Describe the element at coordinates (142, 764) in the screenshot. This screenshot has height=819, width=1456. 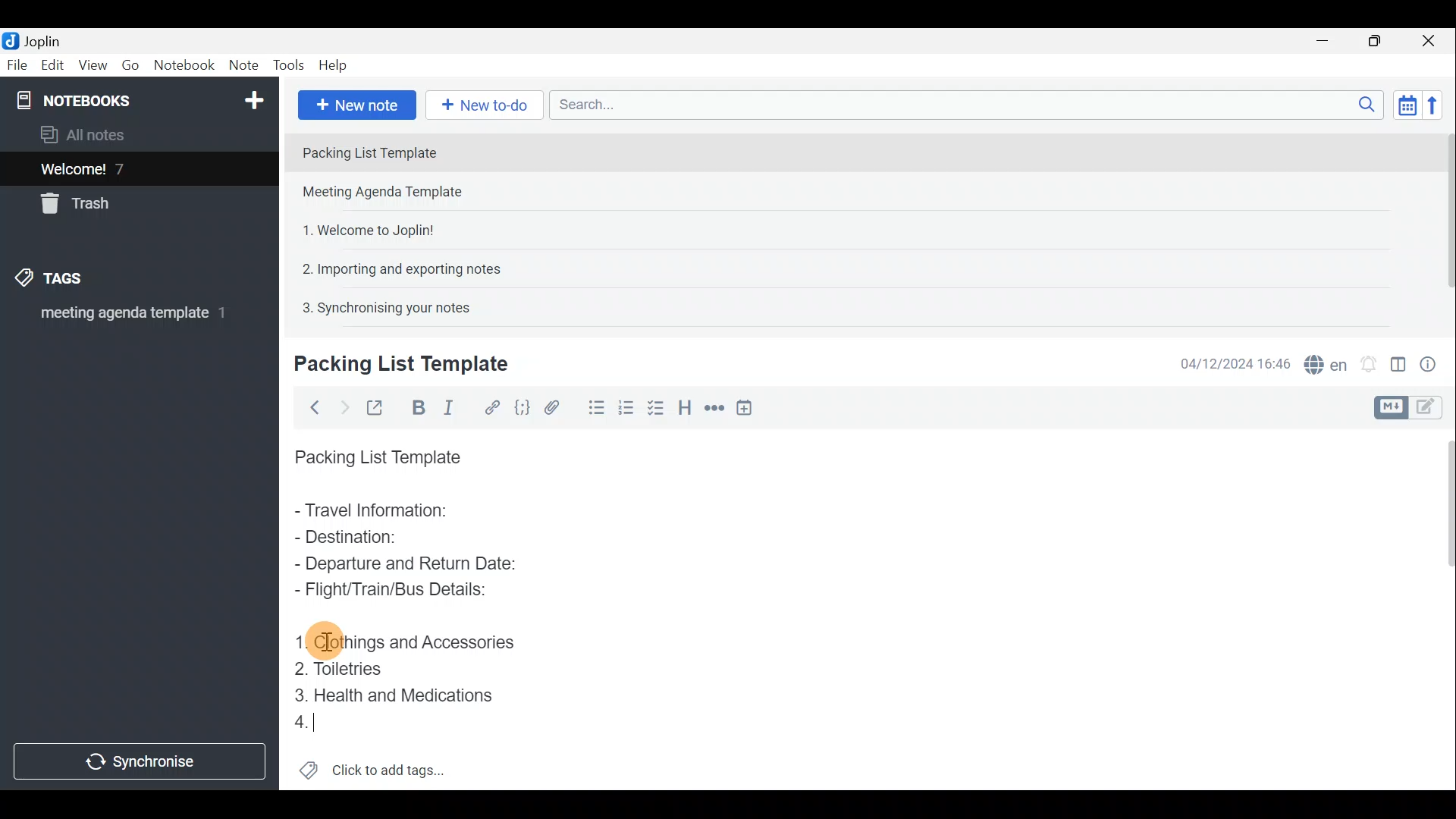
I see `Synchronise` at that location.